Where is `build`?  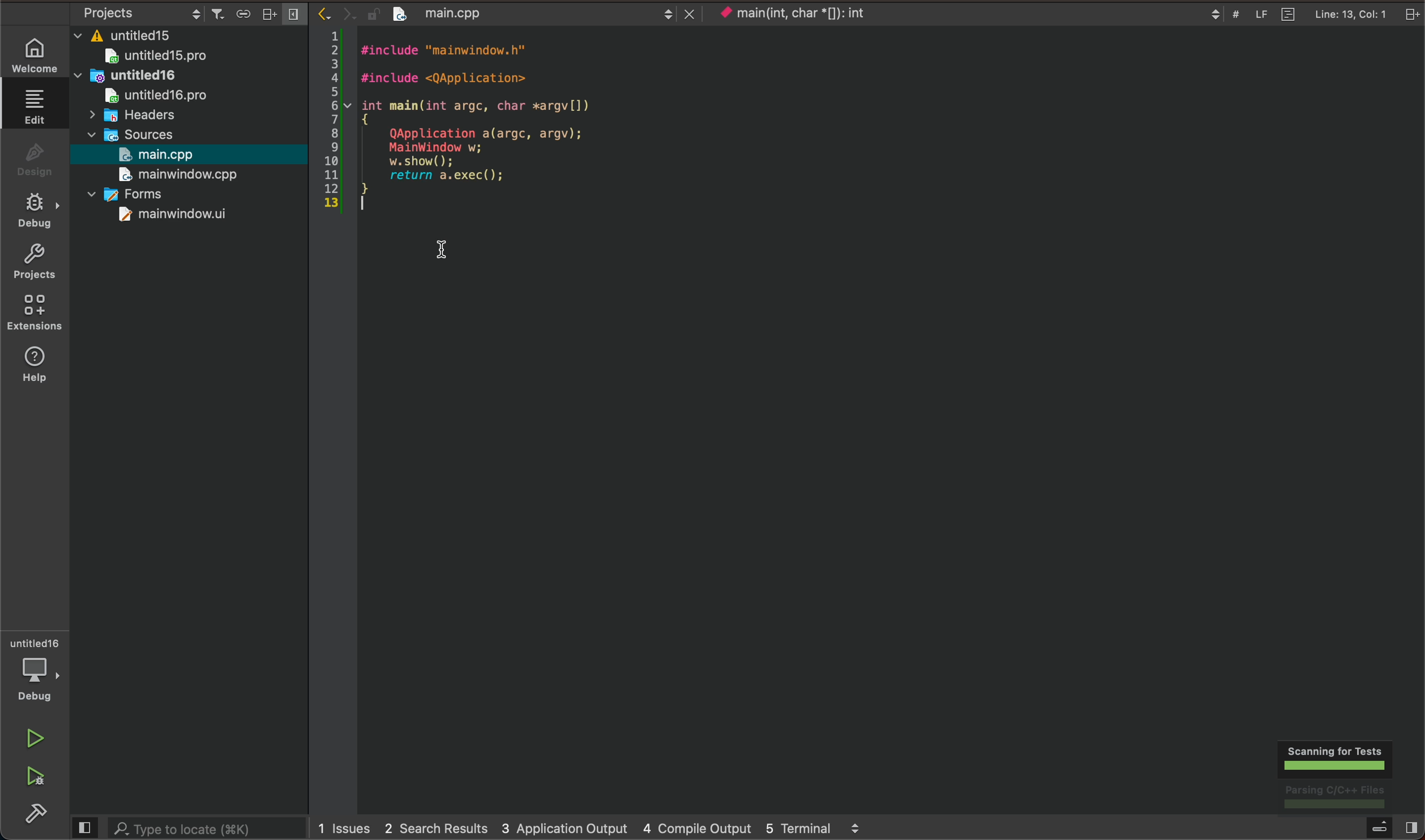 build is located at coordinates (40, 816).